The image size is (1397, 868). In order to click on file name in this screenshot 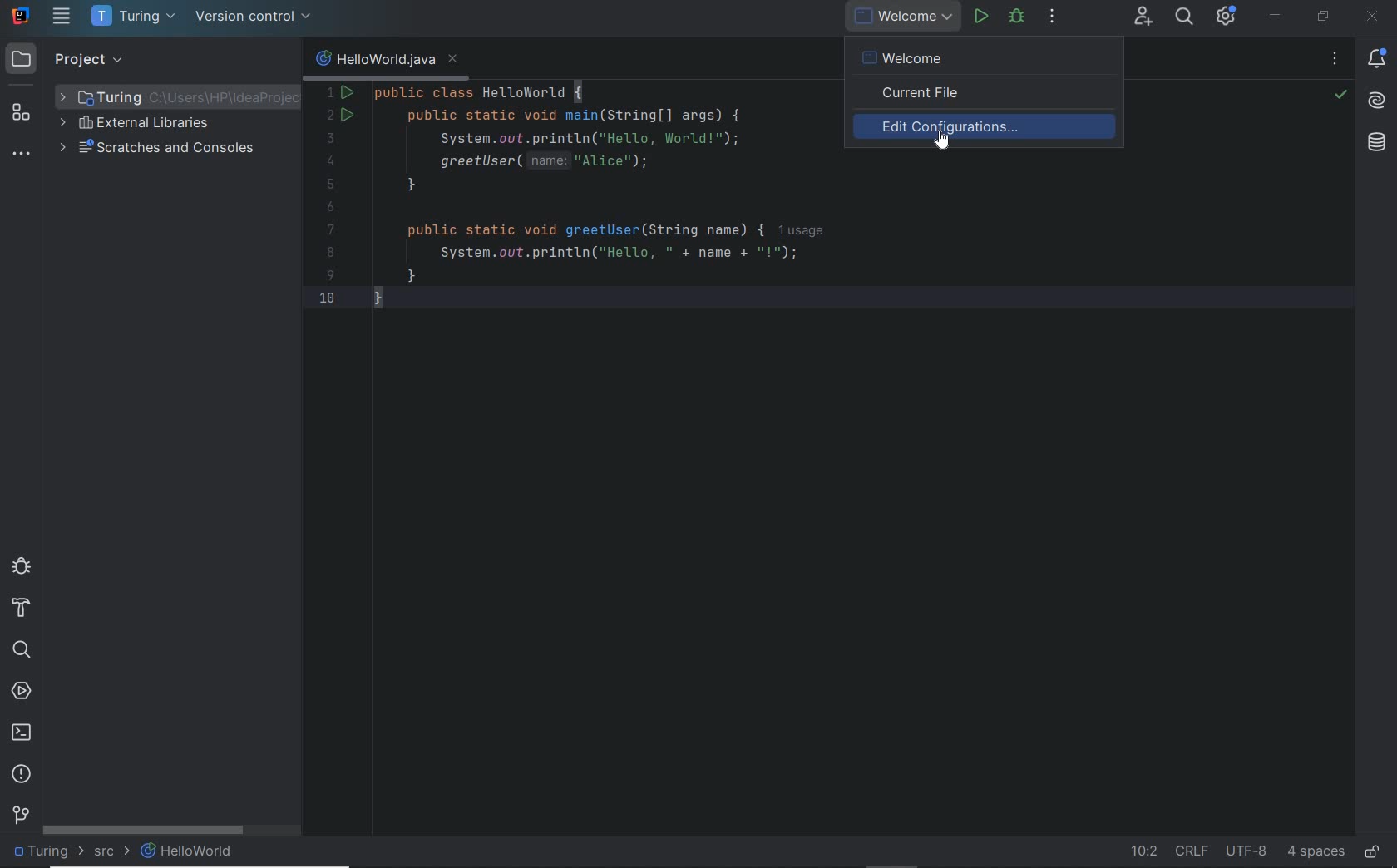, I will do `click(385, 59)`.